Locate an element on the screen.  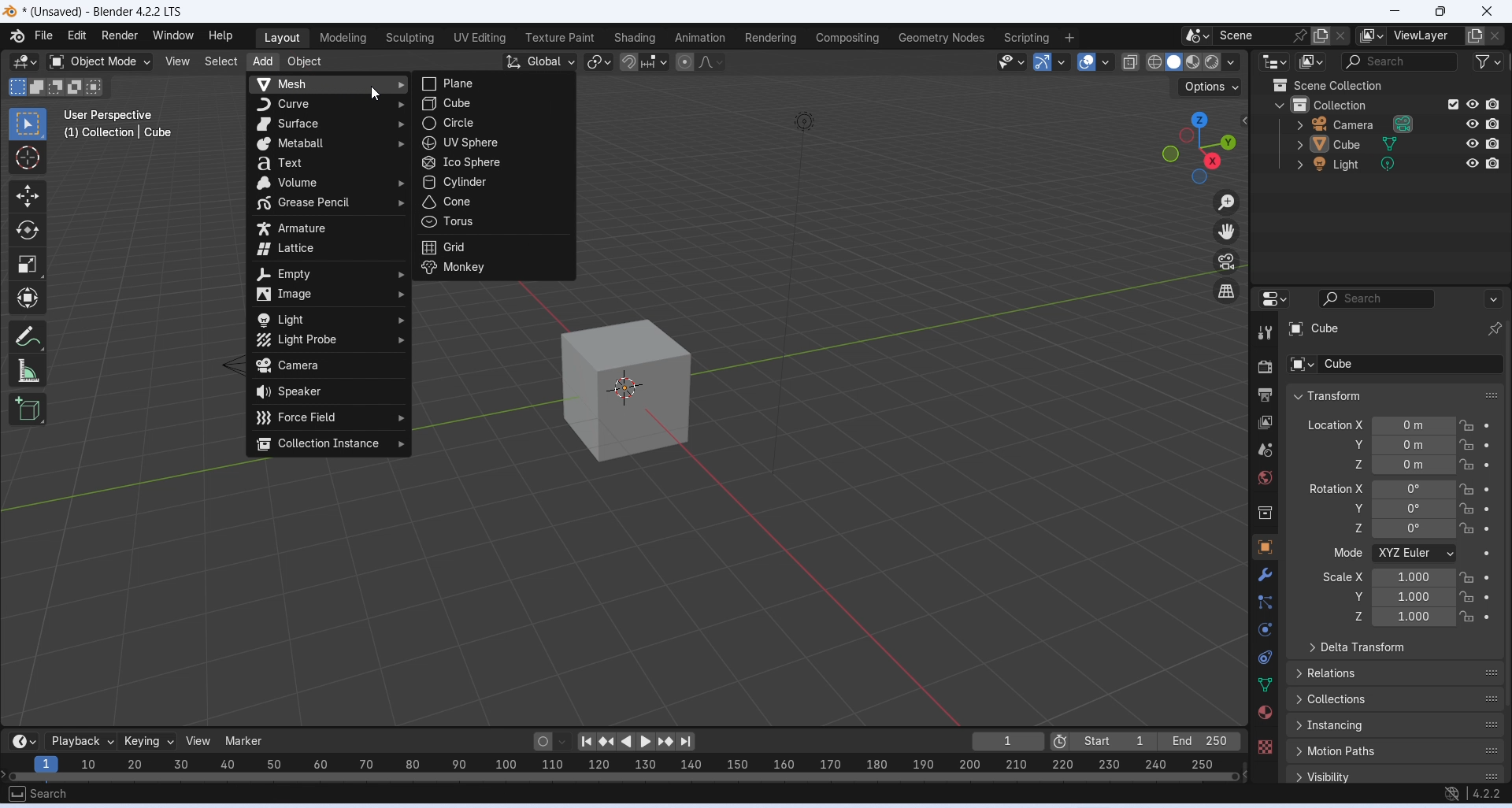
view is located at coordinates (201, 740).